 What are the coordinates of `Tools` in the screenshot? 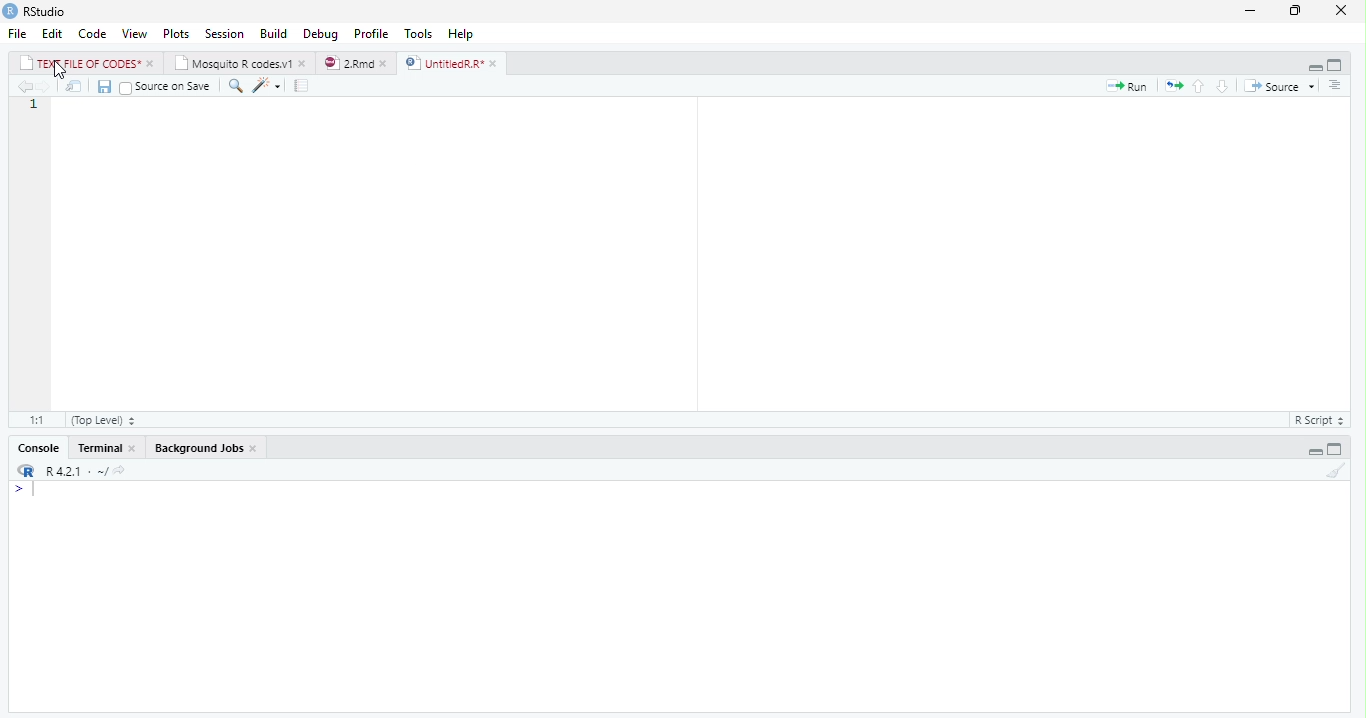 It's located at (421, 33).